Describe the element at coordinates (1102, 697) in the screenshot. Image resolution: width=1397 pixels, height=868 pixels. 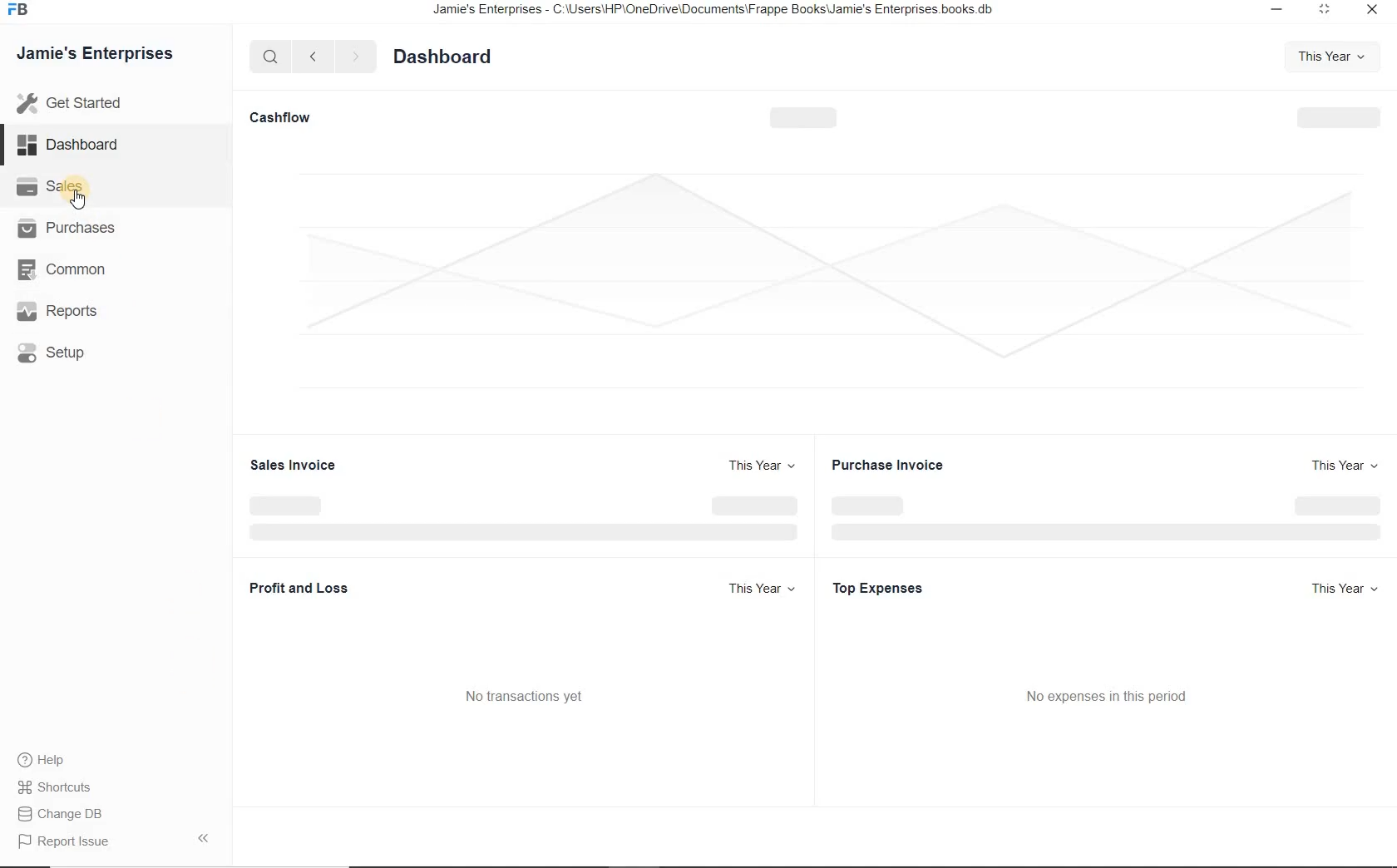
I see `No expenses in this period` at that location.